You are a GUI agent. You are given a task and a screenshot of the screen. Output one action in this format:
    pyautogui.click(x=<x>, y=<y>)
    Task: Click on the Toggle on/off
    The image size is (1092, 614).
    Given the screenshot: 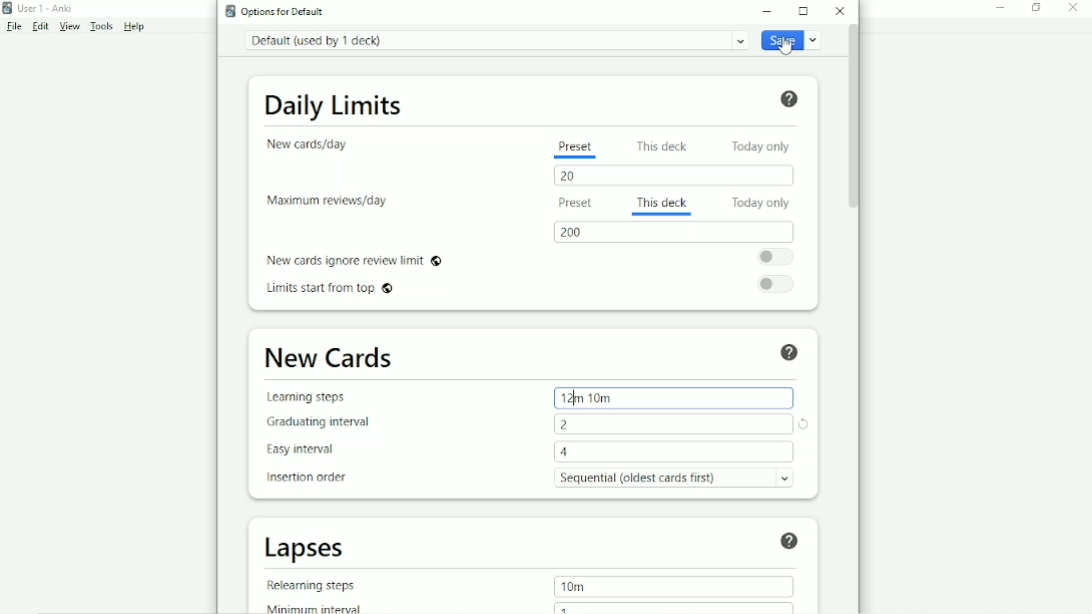 What is the action you would take?
    pyautogui.click(x=778, y=285)
    